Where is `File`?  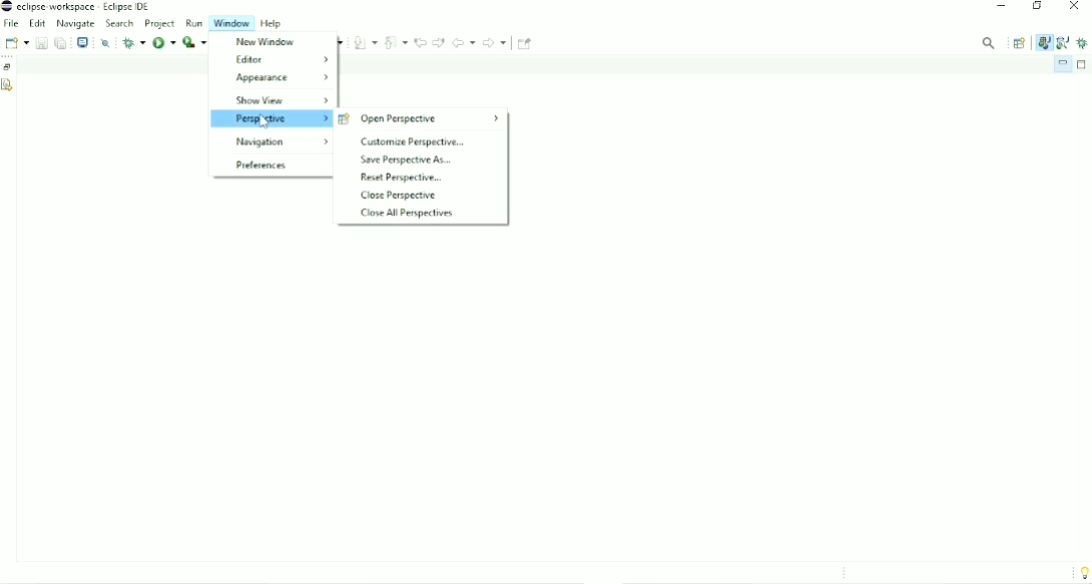
File is located at coordinates (11, 24).